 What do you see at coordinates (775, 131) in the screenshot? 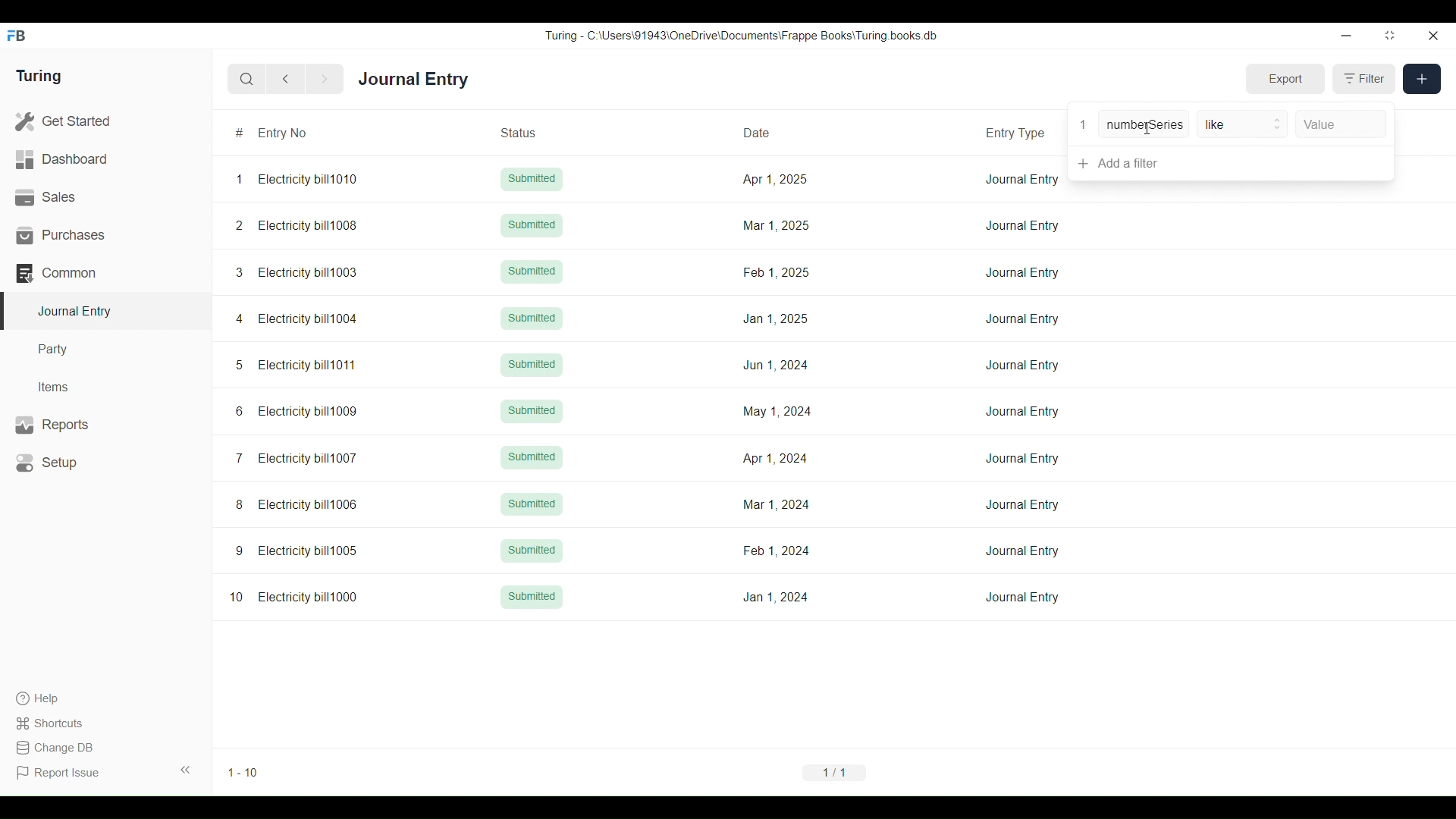
I see `Date` at bounding box center [775, 131].